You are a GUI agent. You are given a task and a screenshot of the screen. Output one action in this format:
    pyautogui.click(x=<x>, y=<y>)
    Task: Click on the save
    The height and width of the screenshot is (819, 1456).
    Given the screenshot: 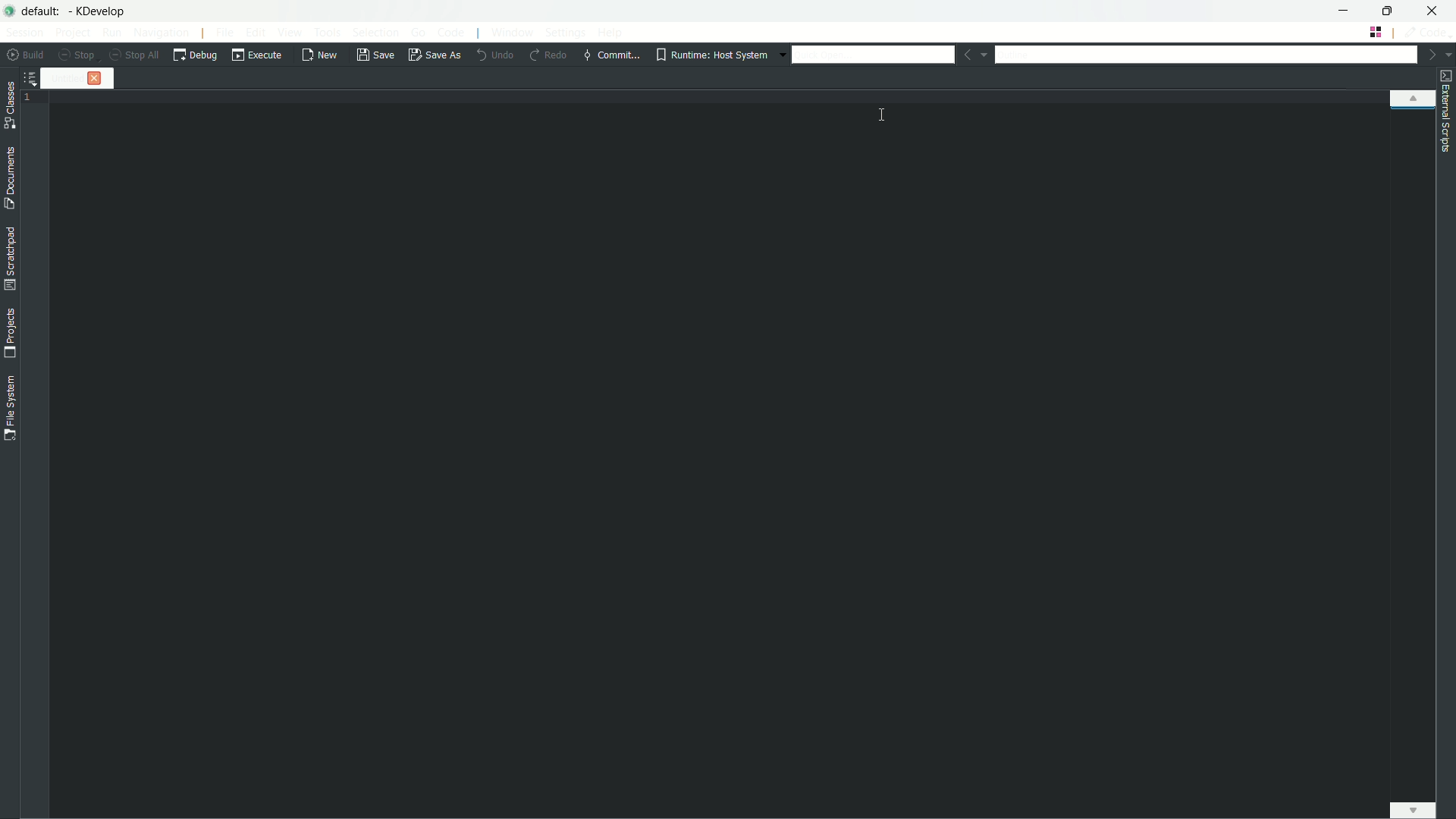 What is the action you would take?
    pyautogui.click(x=375, y=57)
    